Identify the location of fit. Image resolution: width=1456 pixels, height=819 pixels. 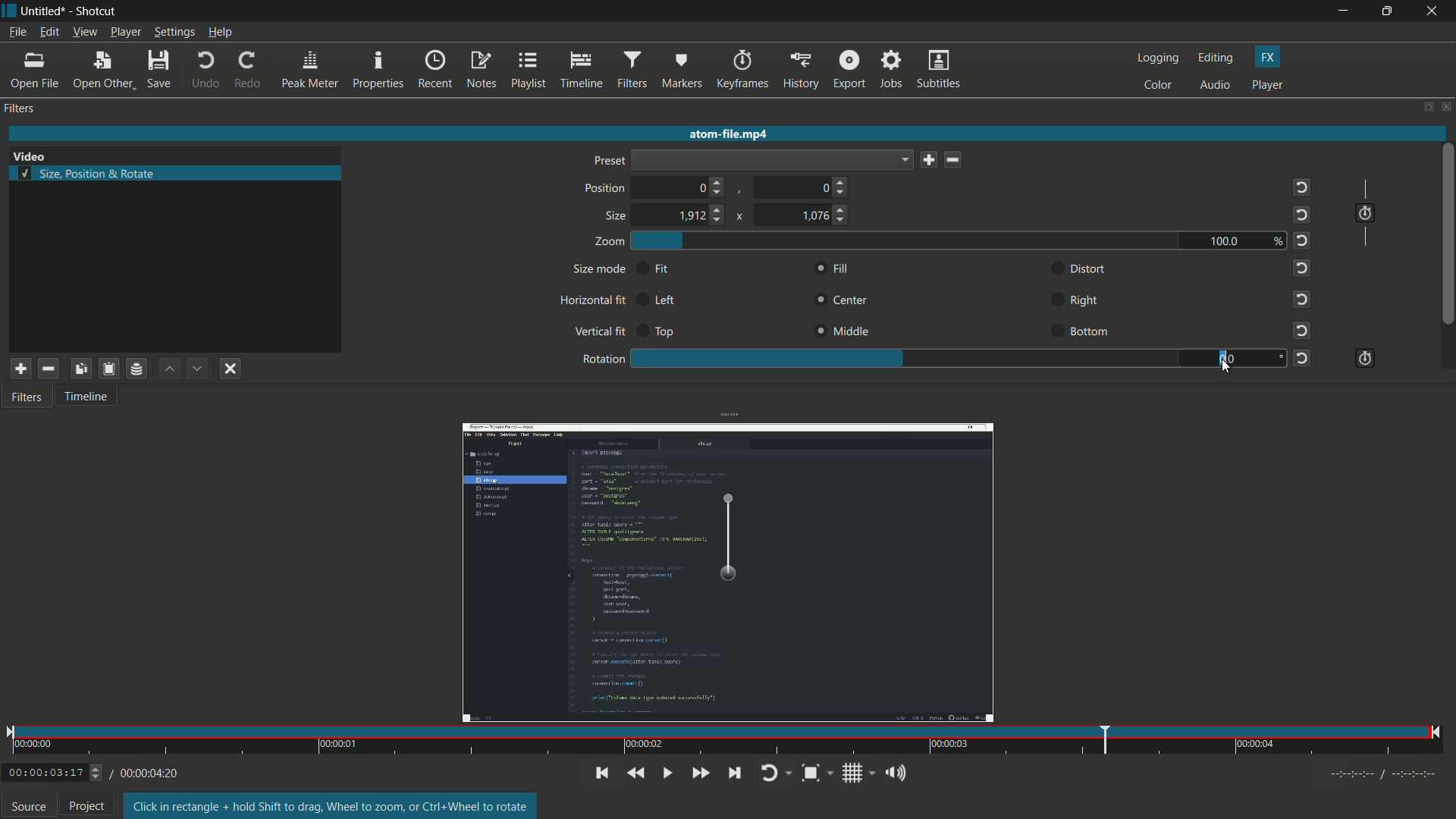
(659, 270).